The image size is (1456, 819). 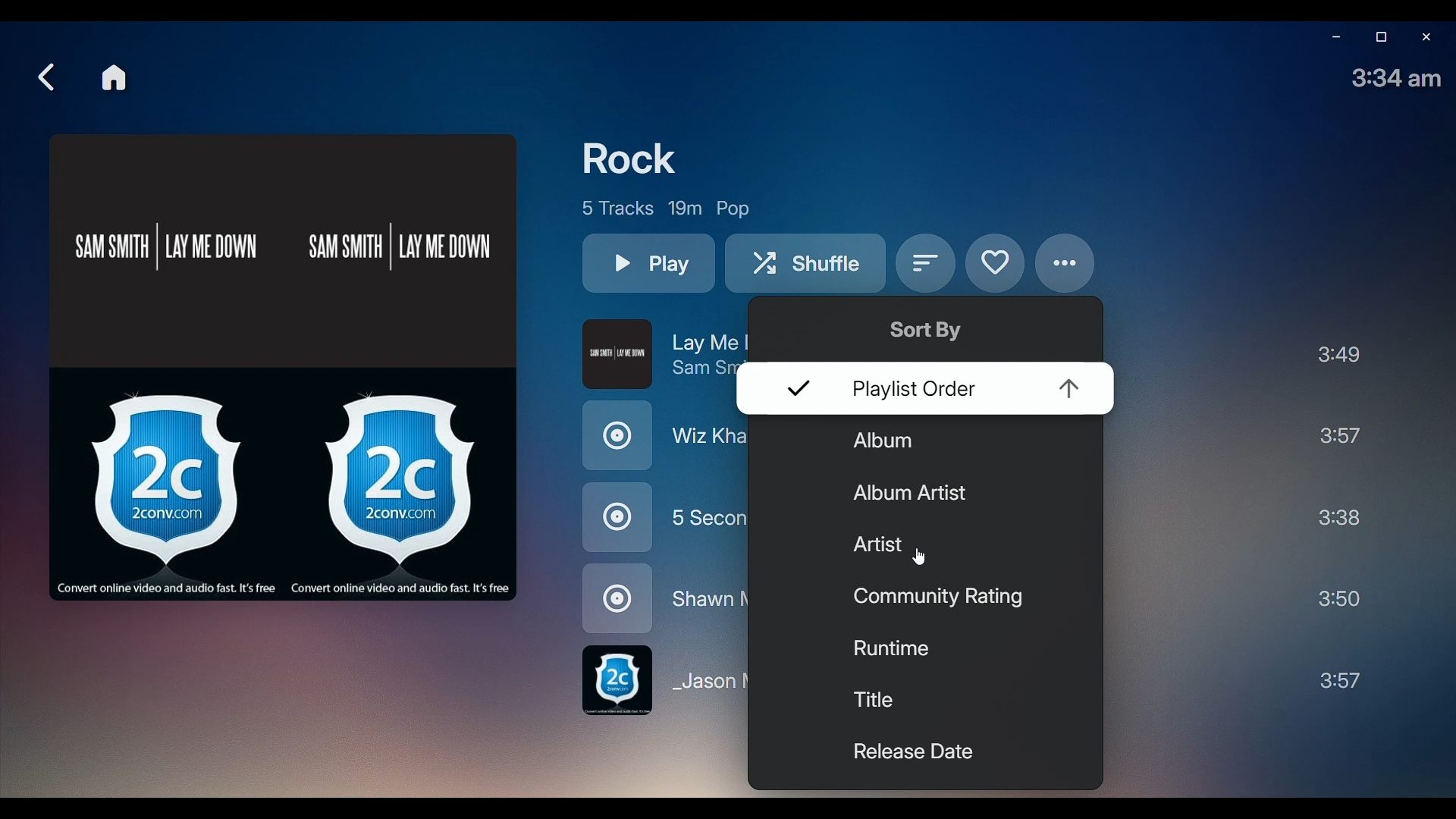 I want to click on Album, so click(x=900, y=445).